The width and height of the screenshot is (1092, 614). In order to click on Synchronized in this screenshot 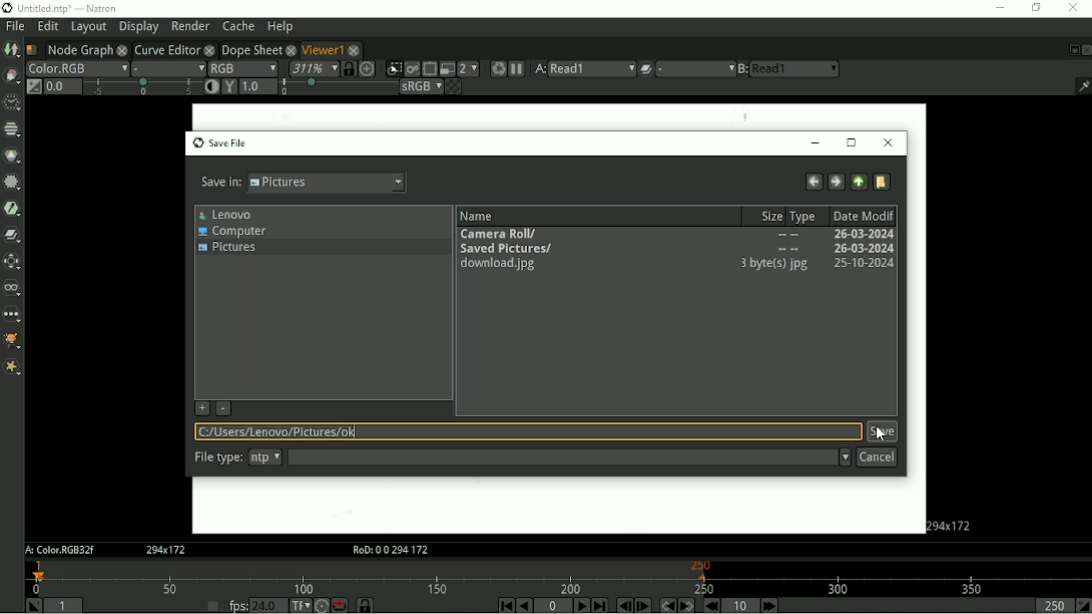, I will do `click(347, 70)`.